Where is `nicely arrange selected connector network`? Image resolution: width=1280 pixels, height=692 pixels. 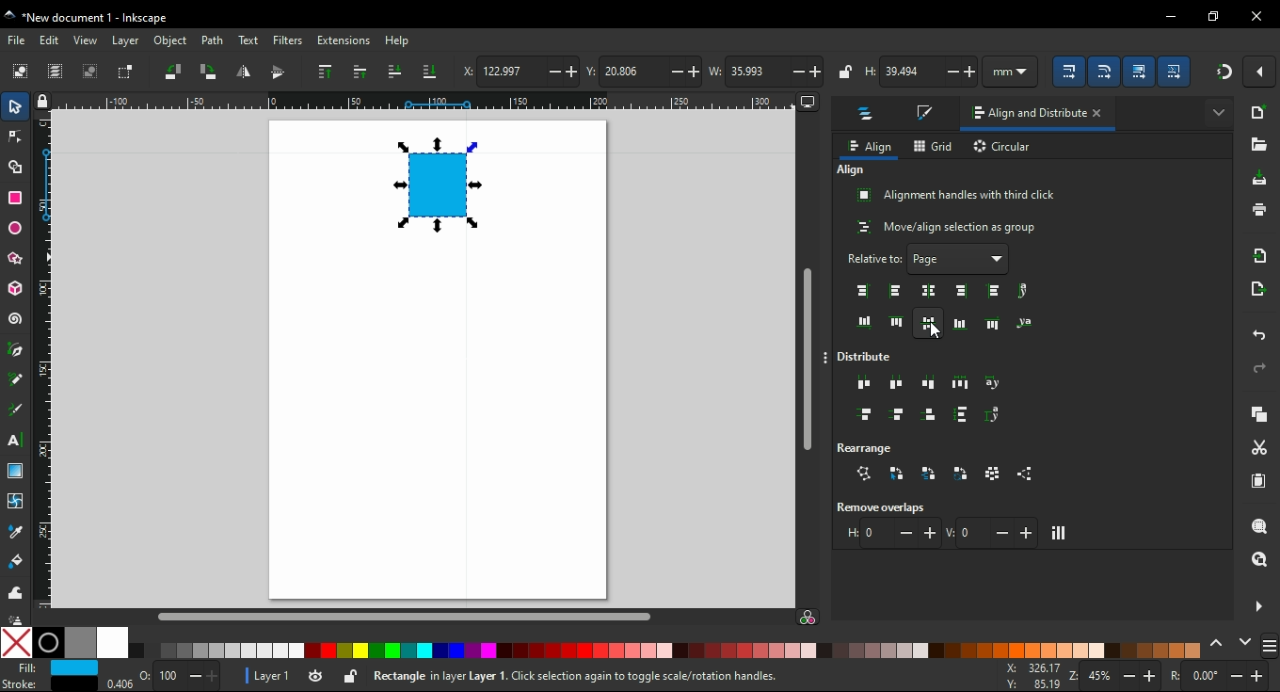
nicely arrange selected connector network is located at coordinates (864, 474).